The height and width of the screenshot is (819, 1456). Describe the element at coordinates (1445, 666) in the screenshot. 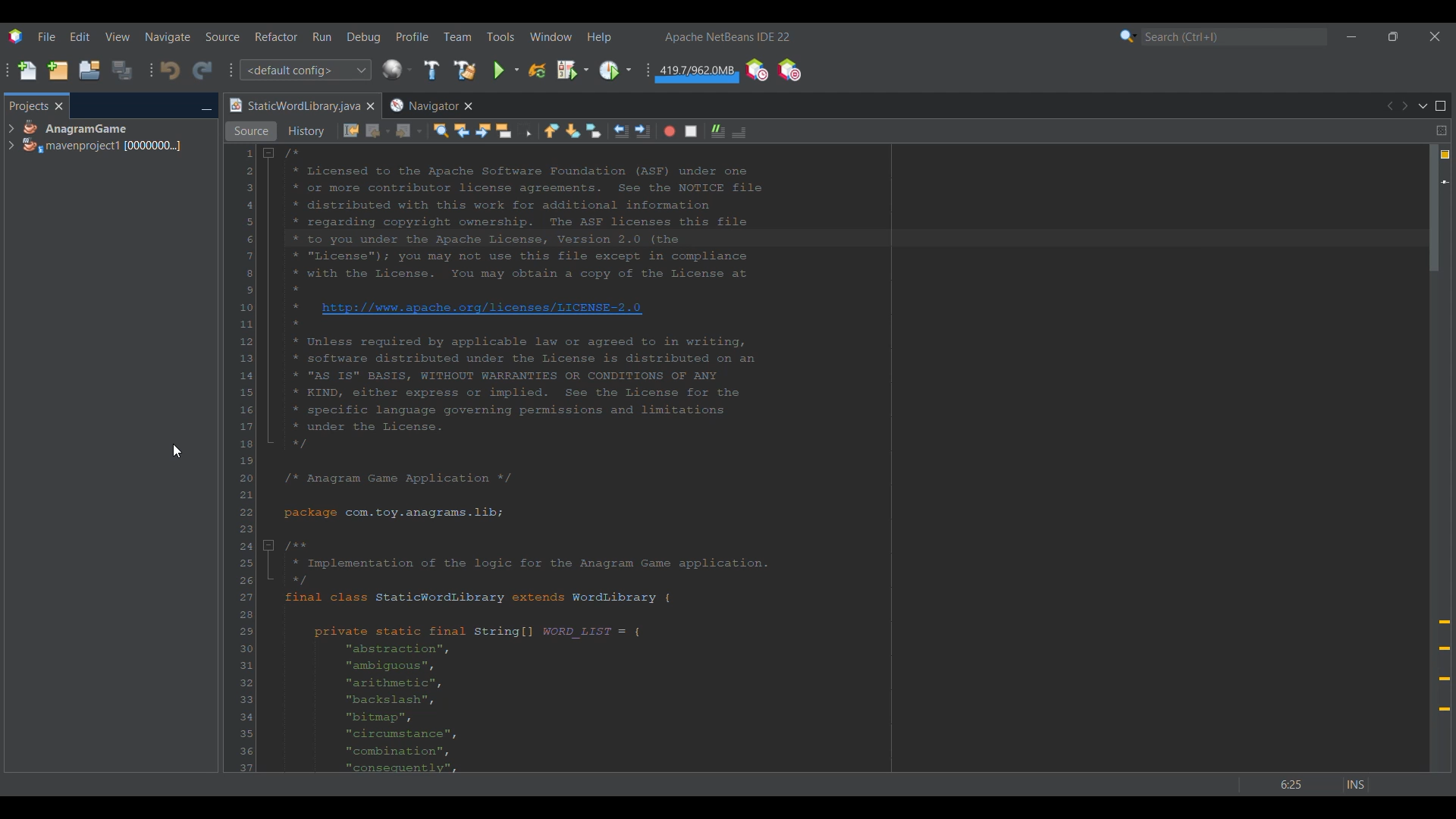

I see `Add @override annotation` at that location.